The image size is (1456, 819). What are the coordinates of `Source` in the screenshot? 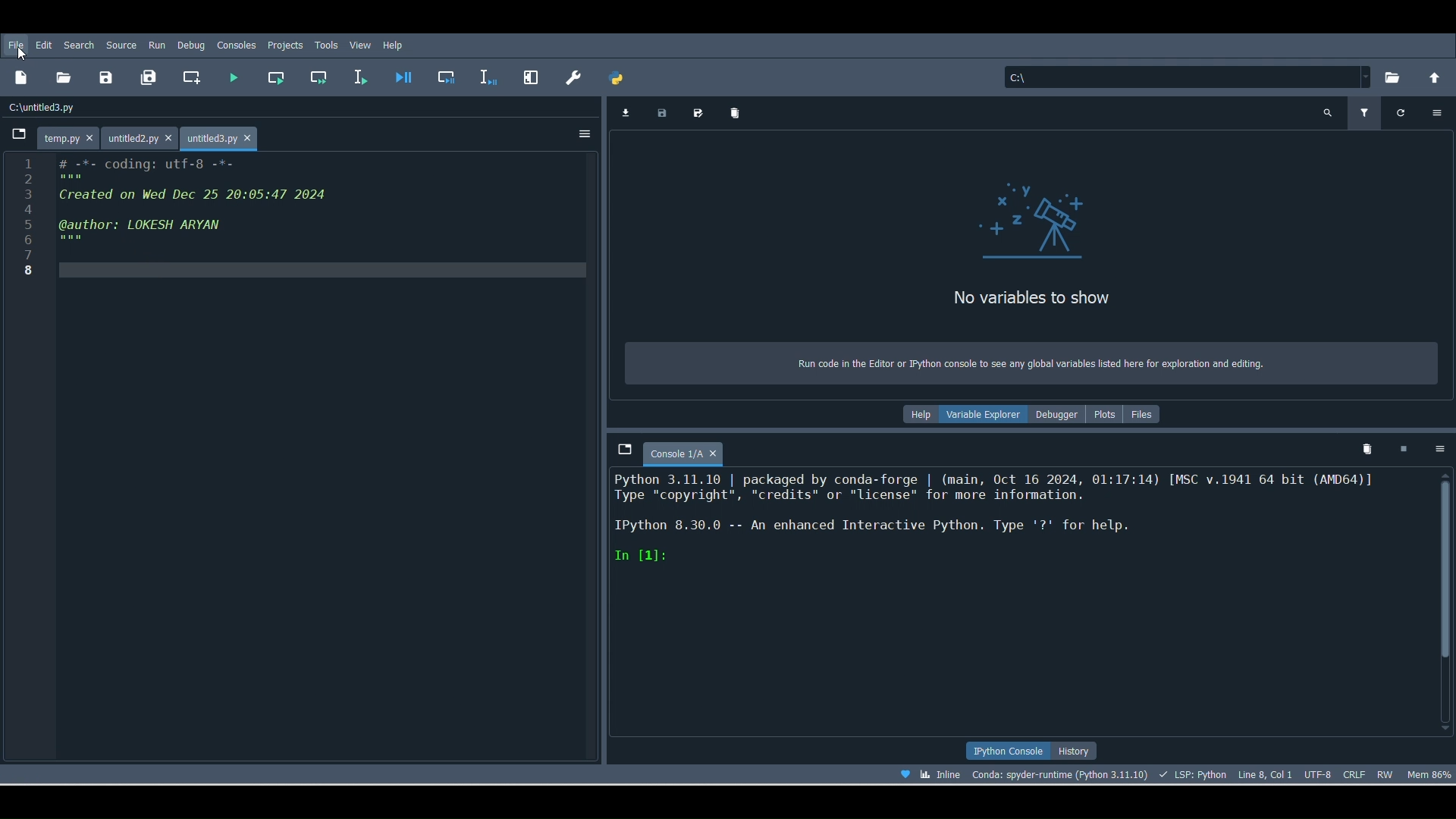 It's located at (121, 43).